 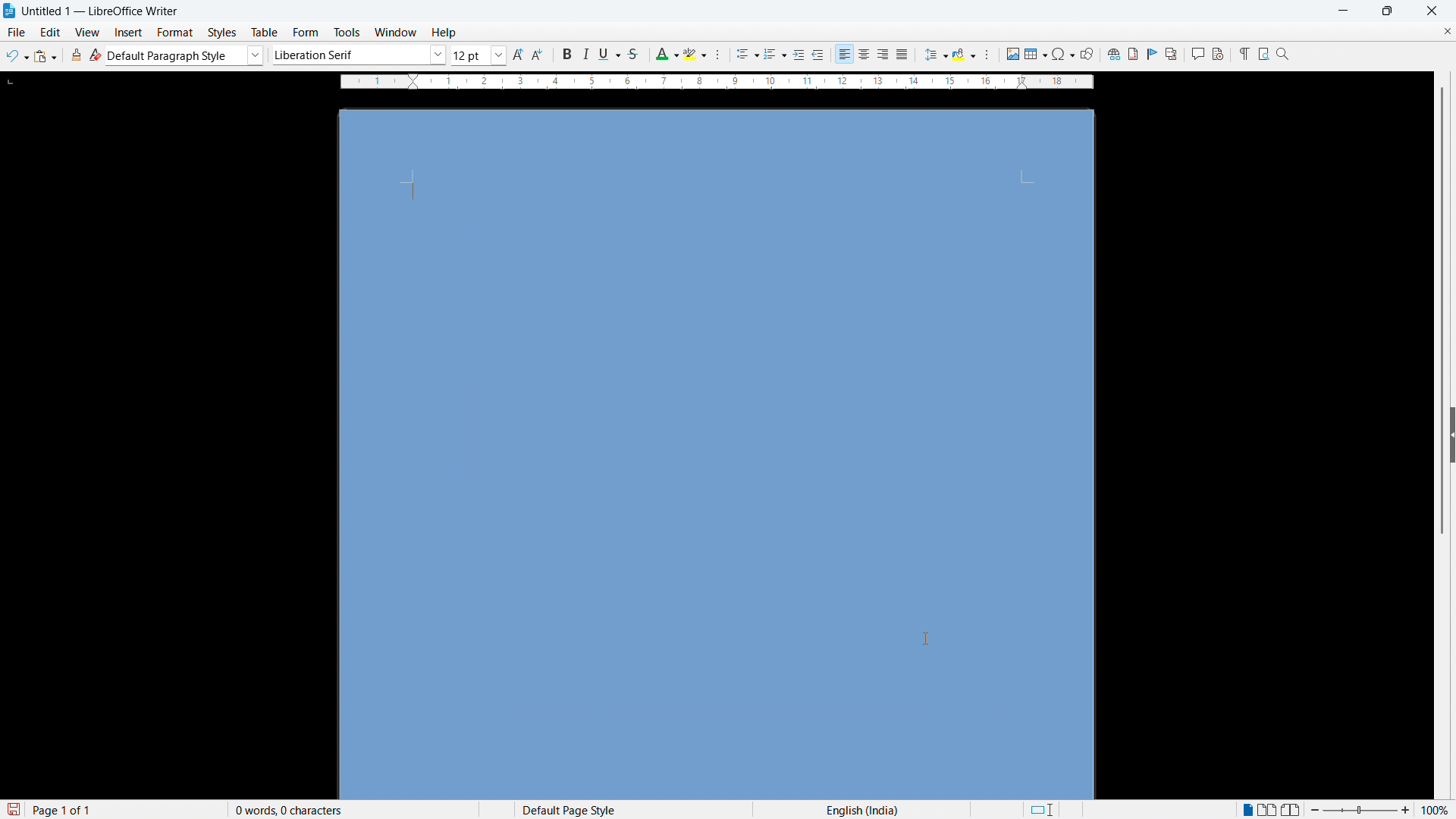 What do you see at coordinates (15, 32) in the screenshot?
I see `file` at bounding box center [15, 32].